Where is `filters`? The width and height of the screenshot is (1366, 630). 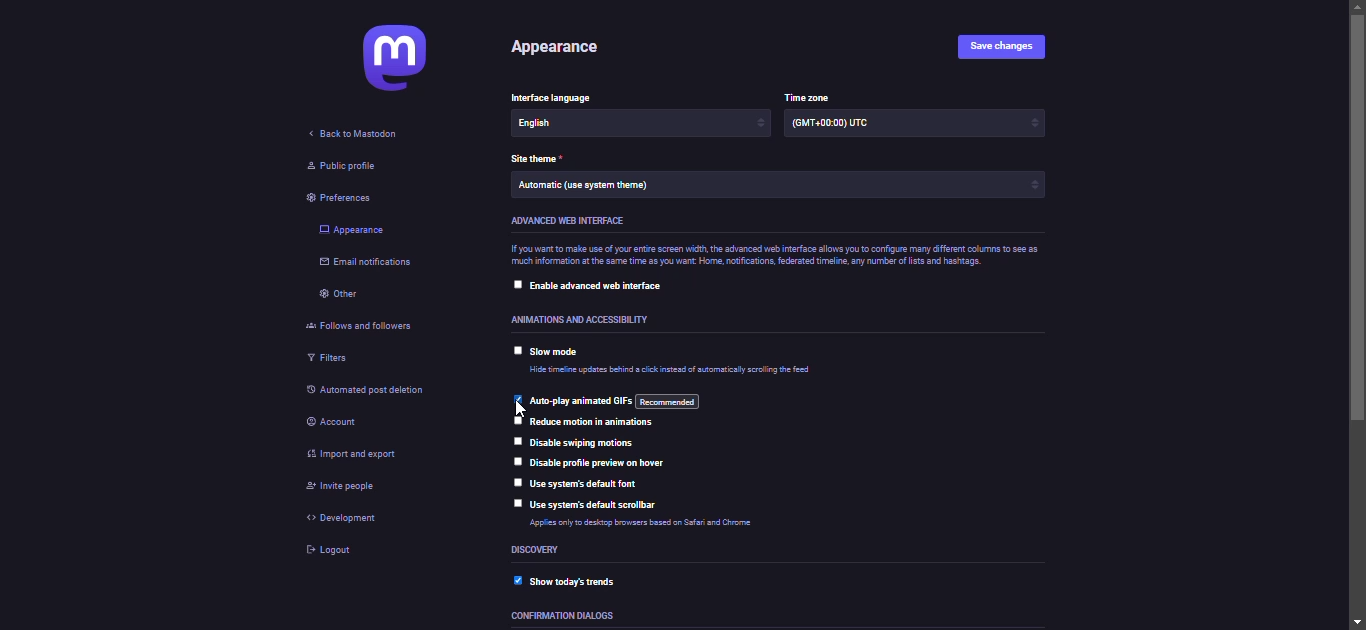 filters is located at coordinates (328, 363).